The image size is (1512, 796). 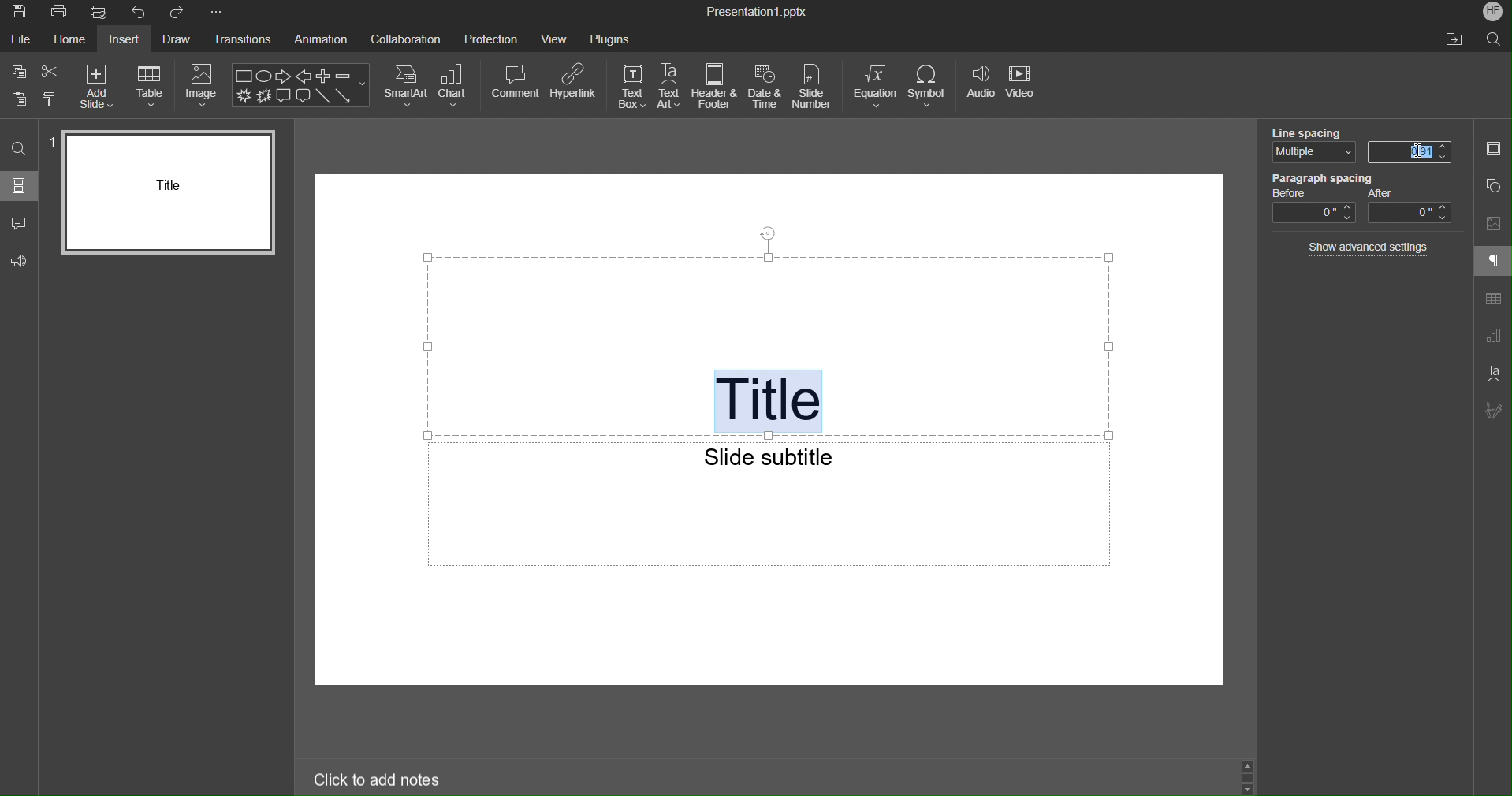 What do you see at coordinates (17, 99) in the screenshot?
I see `Paste` at bounding box center [17, 99].